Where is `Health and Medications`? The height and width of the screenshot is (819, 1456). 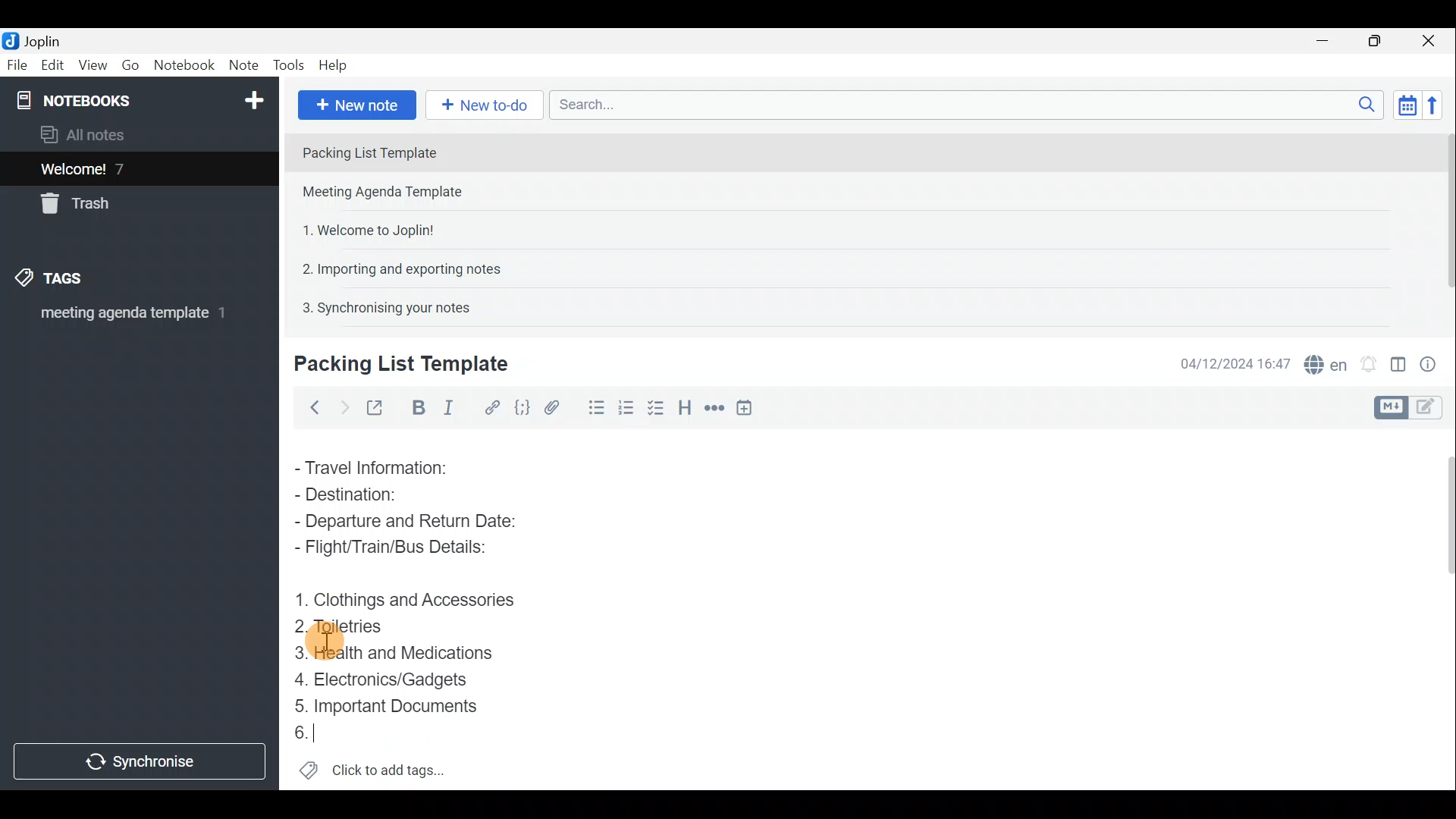
Health and Medications is located at coordinates (403, 654).